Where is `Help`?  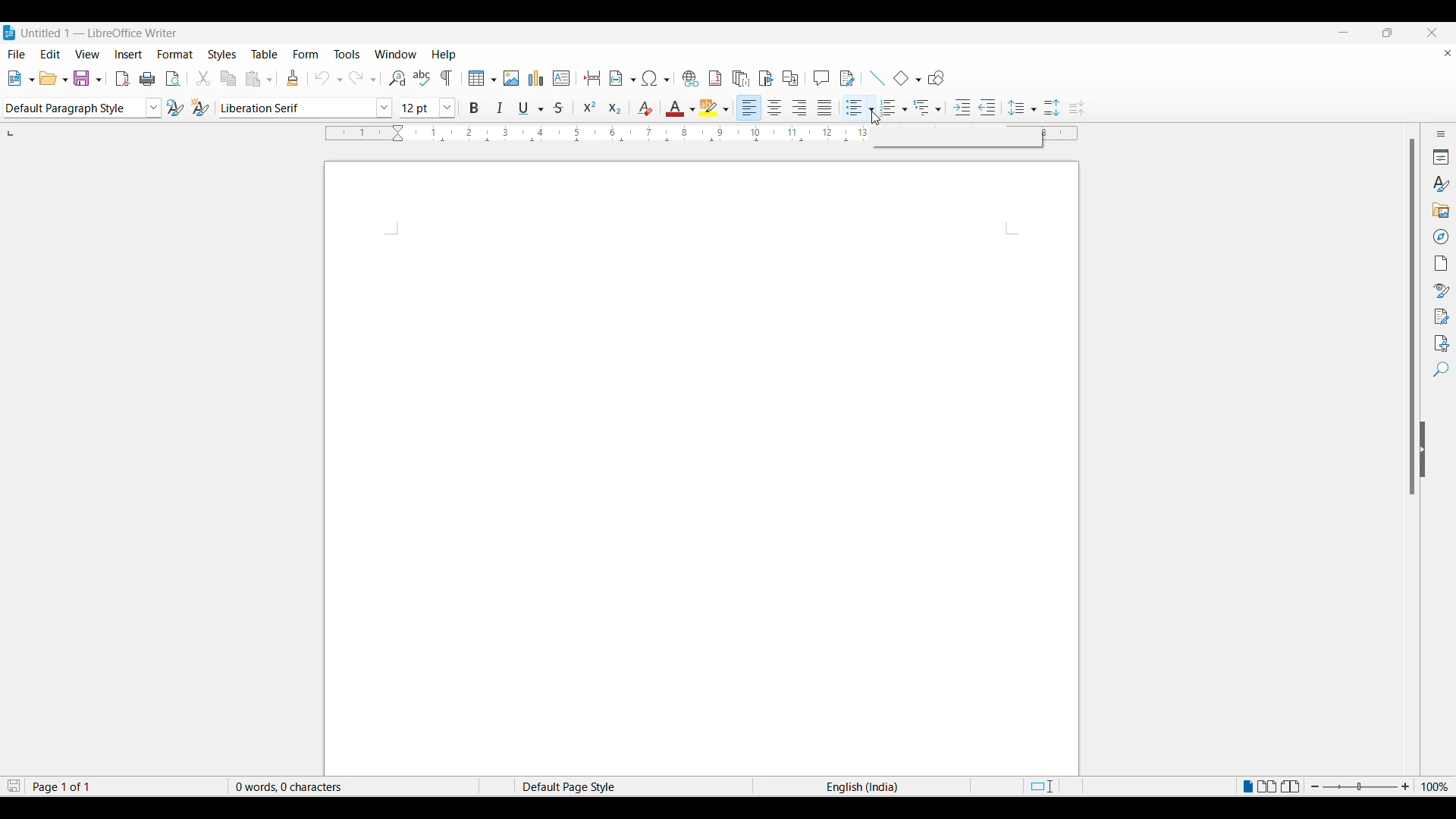 Help is located at coordinates (444, 53).